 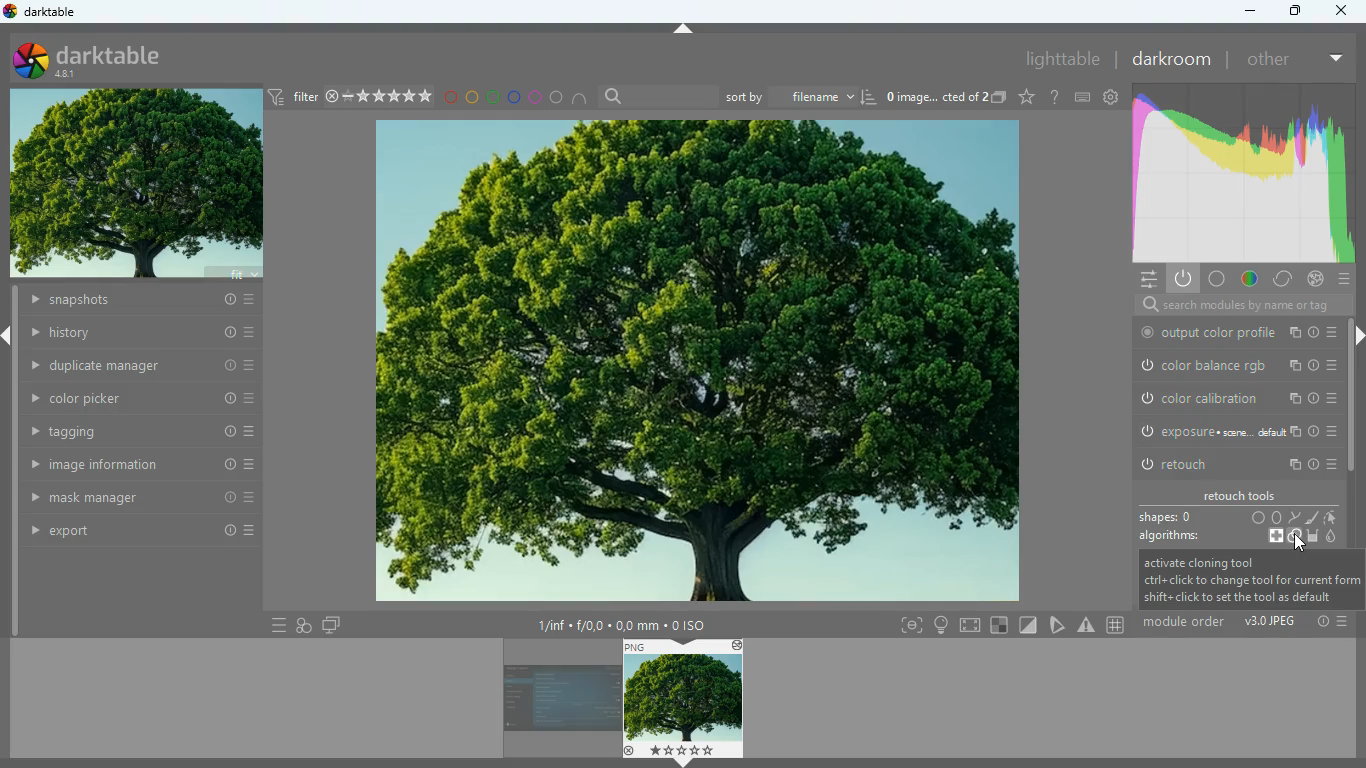 What do you see at coordinates (1170, 535) in the screenshot?
I see `algorithms` at bounding box center [1170, 535].